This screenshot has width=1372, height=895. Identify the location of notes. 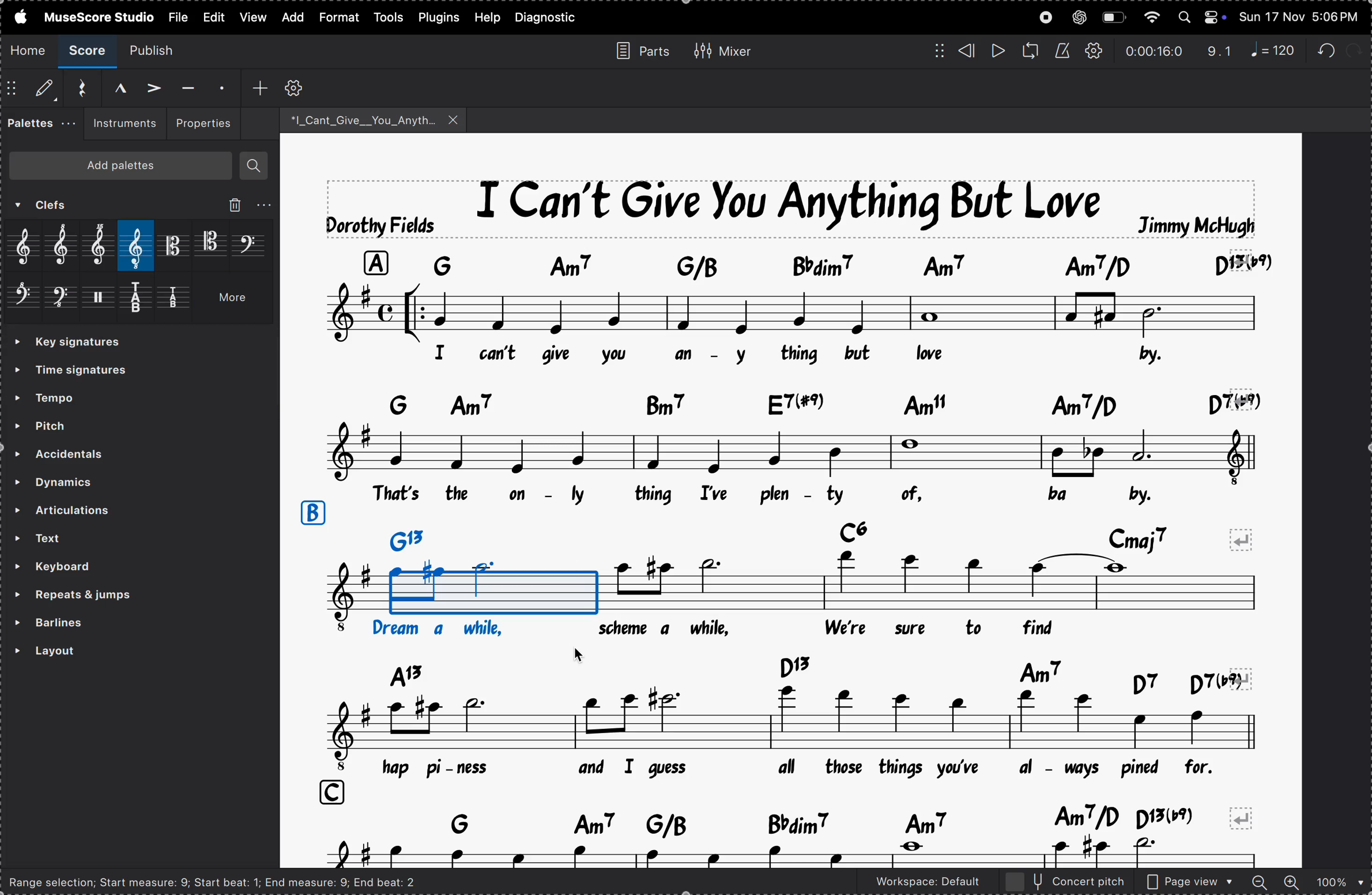
(927, 592).